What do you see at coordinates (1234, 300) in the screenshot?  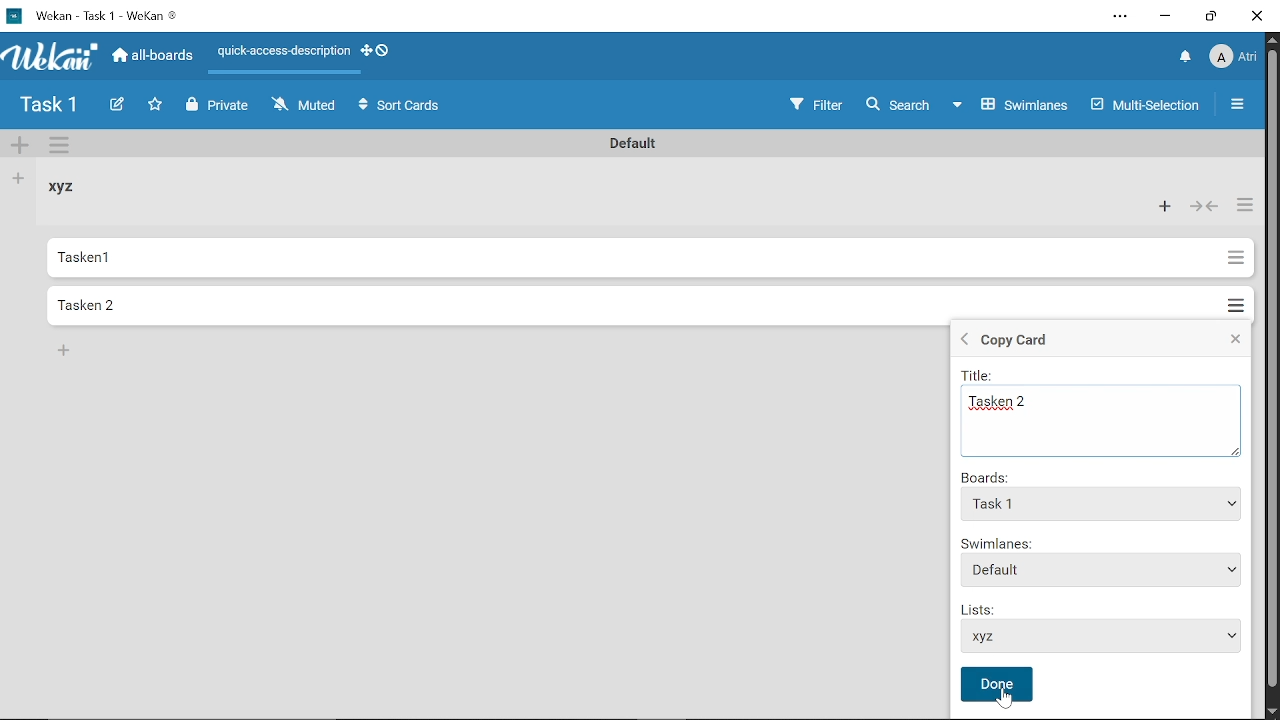 I see `manage card` at bounding box center [1234, 300].